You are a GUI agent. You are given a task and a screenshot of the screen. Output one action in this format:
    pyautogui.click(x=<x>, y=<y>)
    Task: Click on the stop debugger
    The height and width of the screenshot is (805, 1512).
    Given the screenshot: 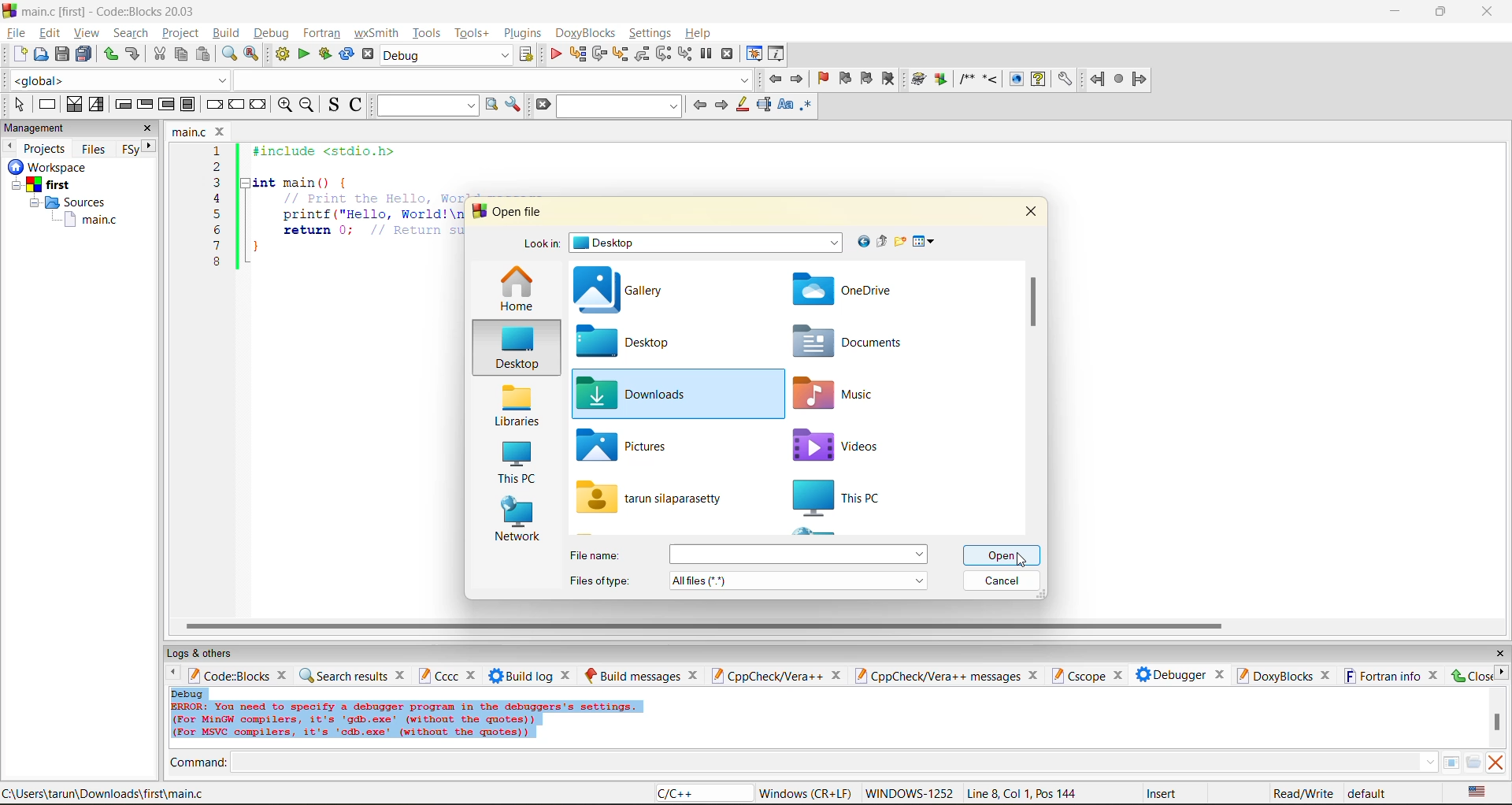 What is the action you would take?
    pyautogui.click(x=728, y=54)
    